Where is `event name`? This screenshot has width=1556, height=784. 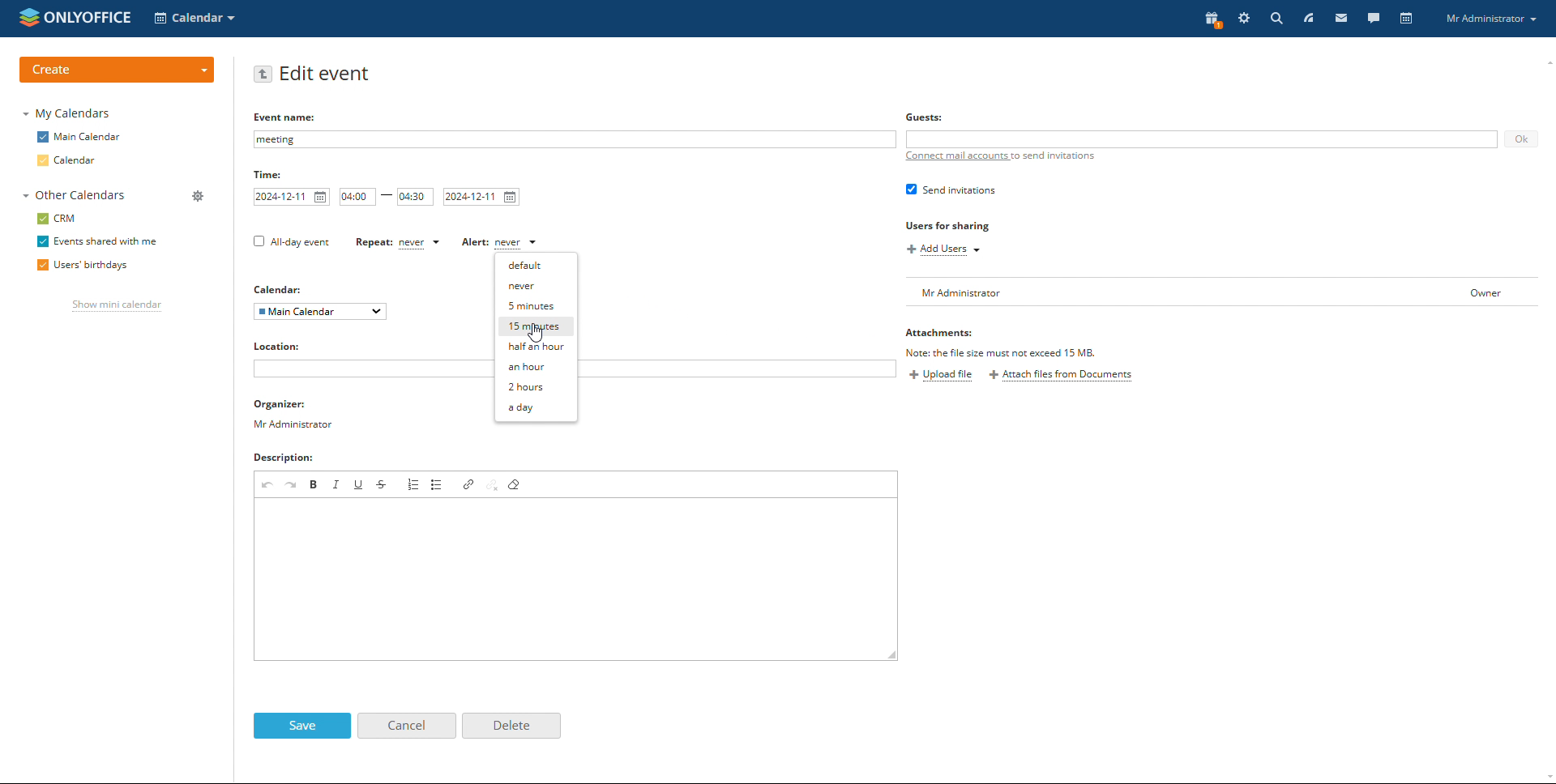
event name is located at coordinates (575, 139).